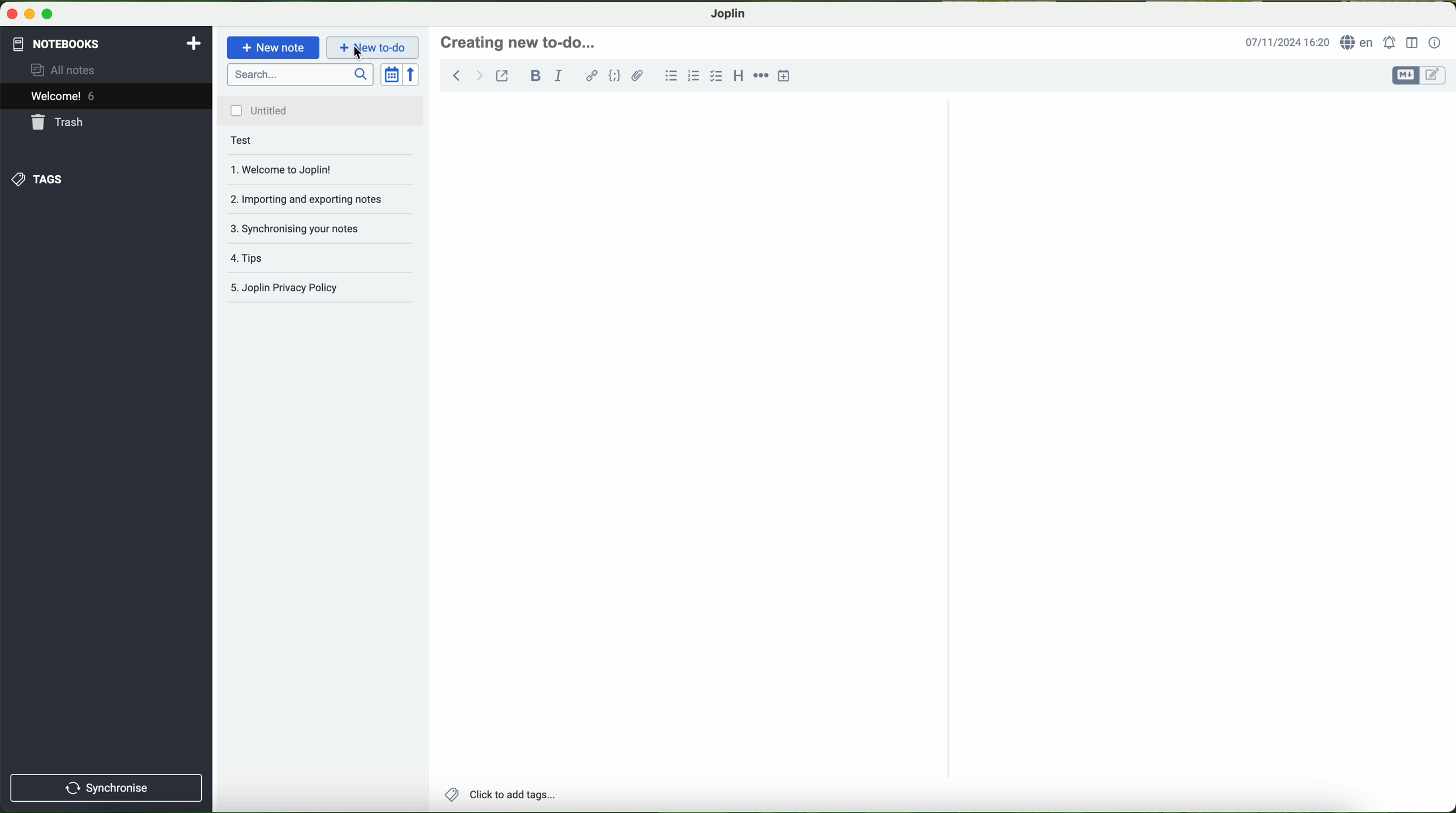  What do you see at coordinates (503, 794) in the screenshot?
I see `add tags` at bounding box center [503, 794].